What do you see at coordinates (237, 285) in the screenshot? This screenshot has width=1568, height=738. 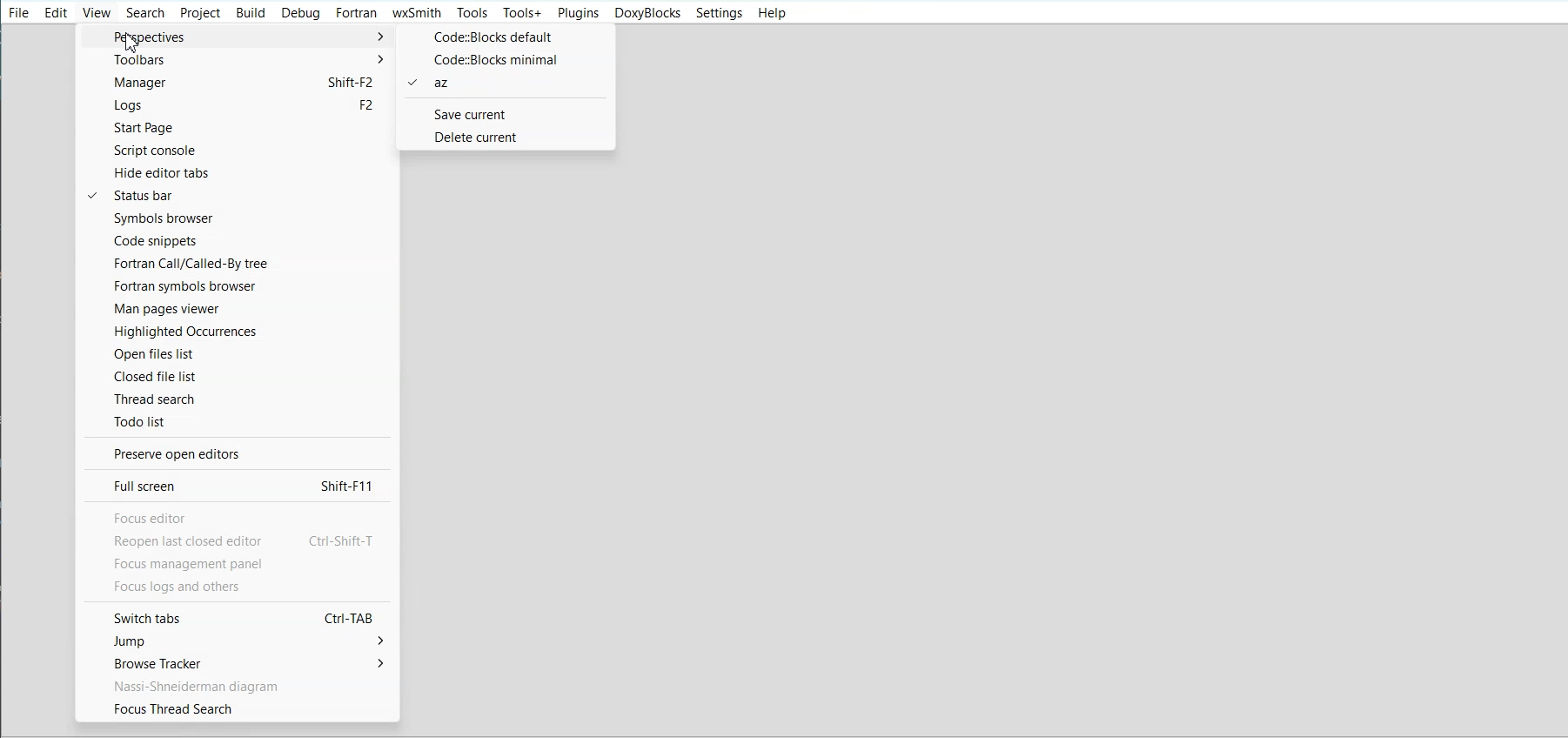 I see `Fortran symbols browser` at bounding box center [237, 285].